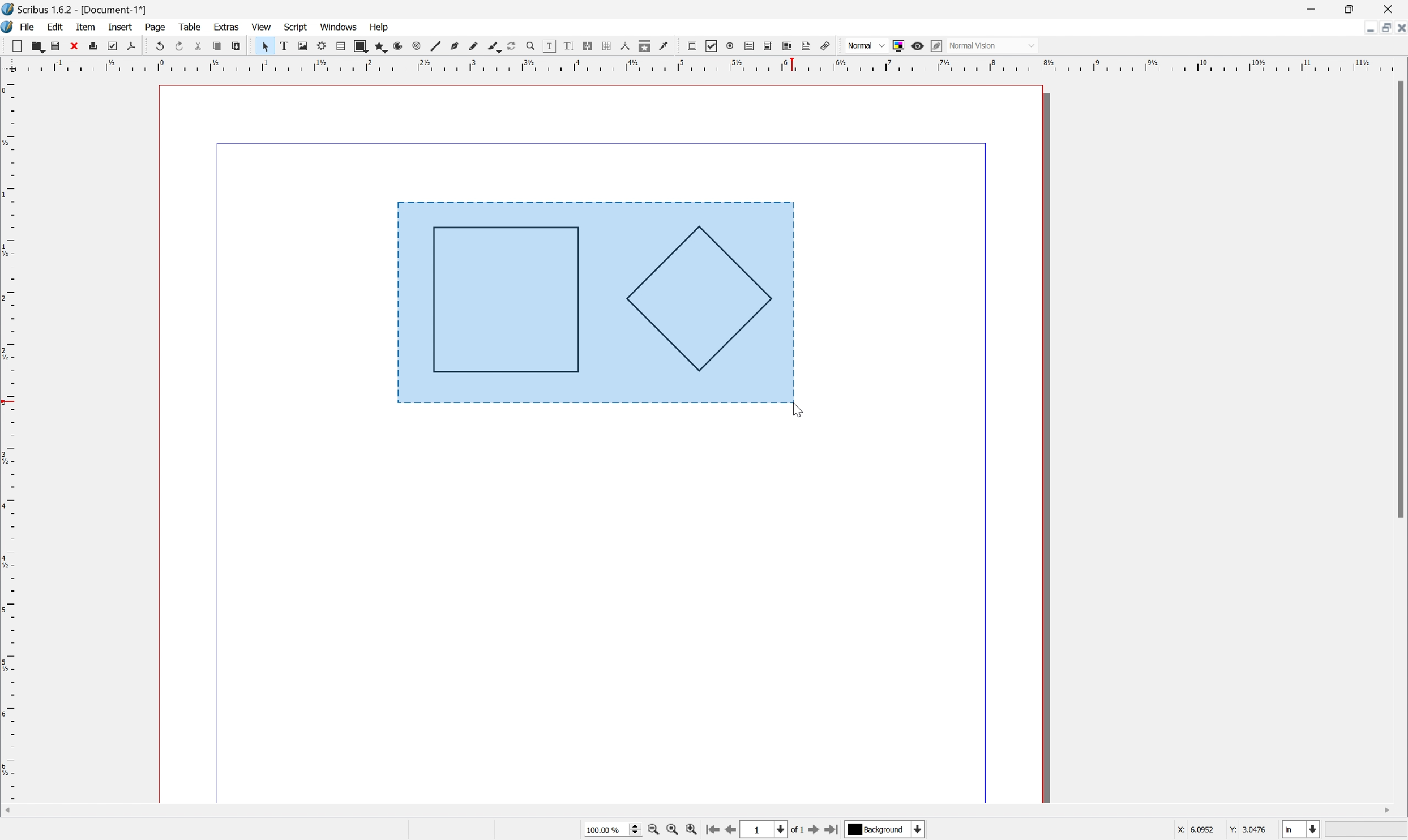  I want to click on text frame, so click(281, 46).